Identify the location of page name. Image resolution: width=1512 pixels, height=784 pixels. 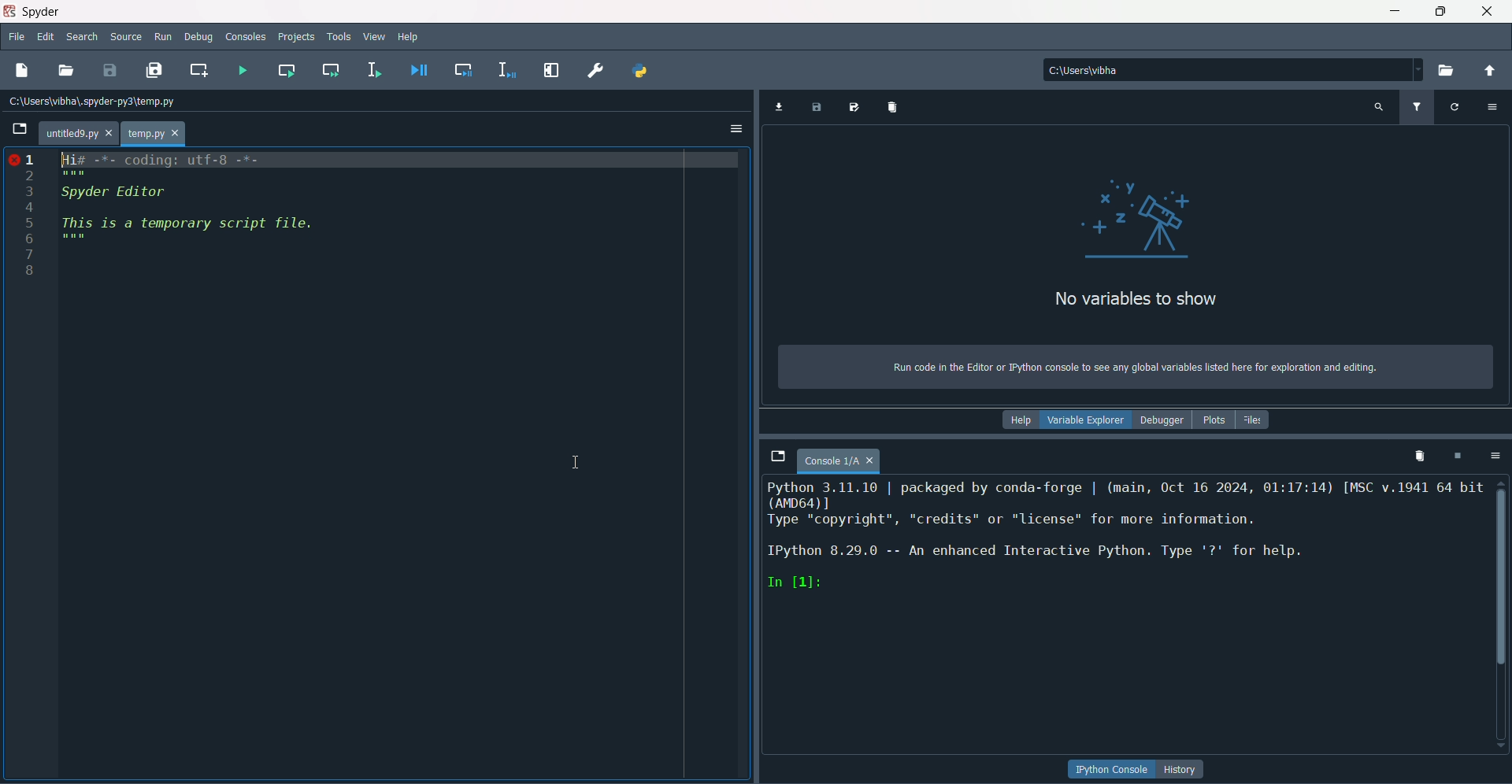
(842, 461).